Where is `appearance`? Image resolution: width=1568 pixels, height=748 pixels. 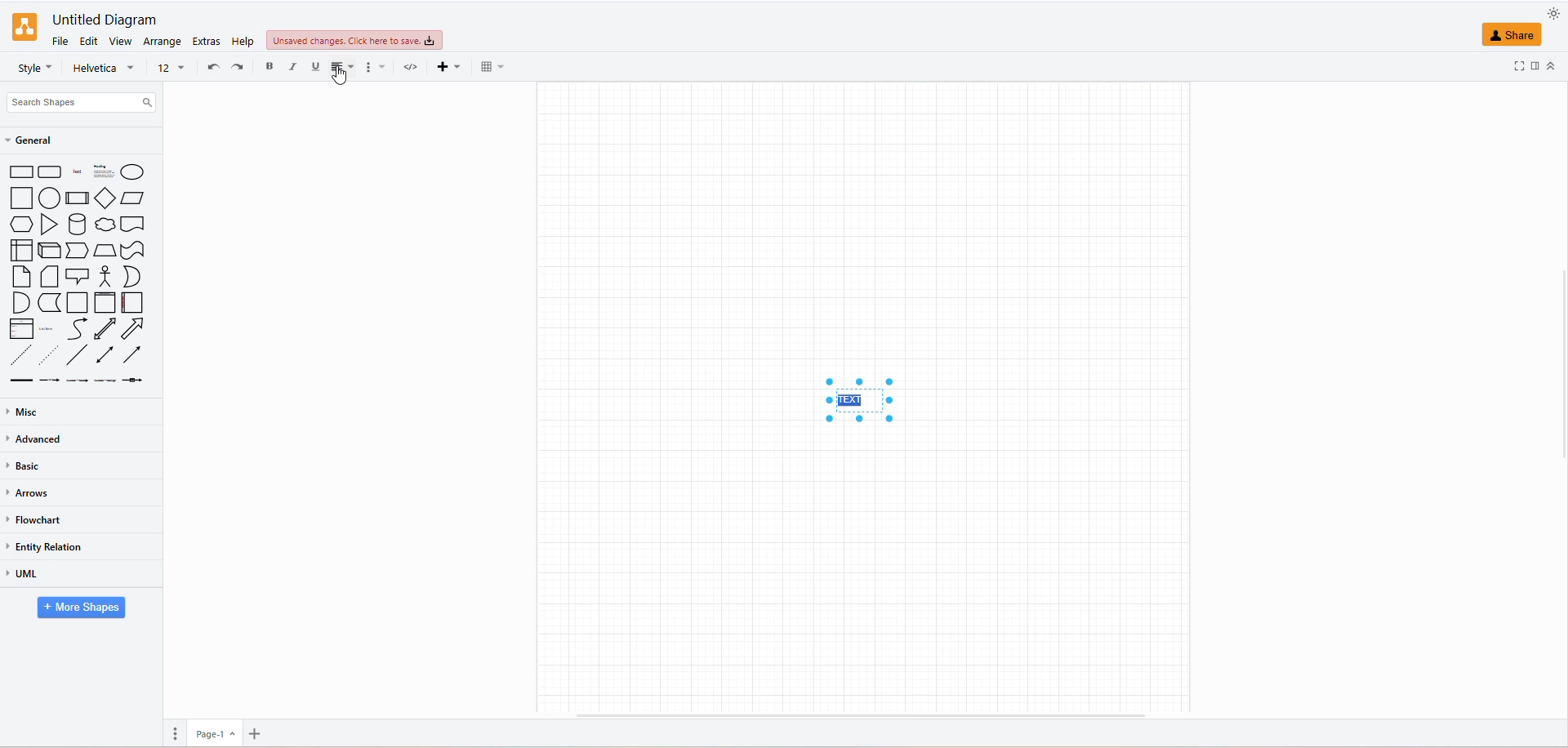 appearance is located at coordinates (1548, 16).